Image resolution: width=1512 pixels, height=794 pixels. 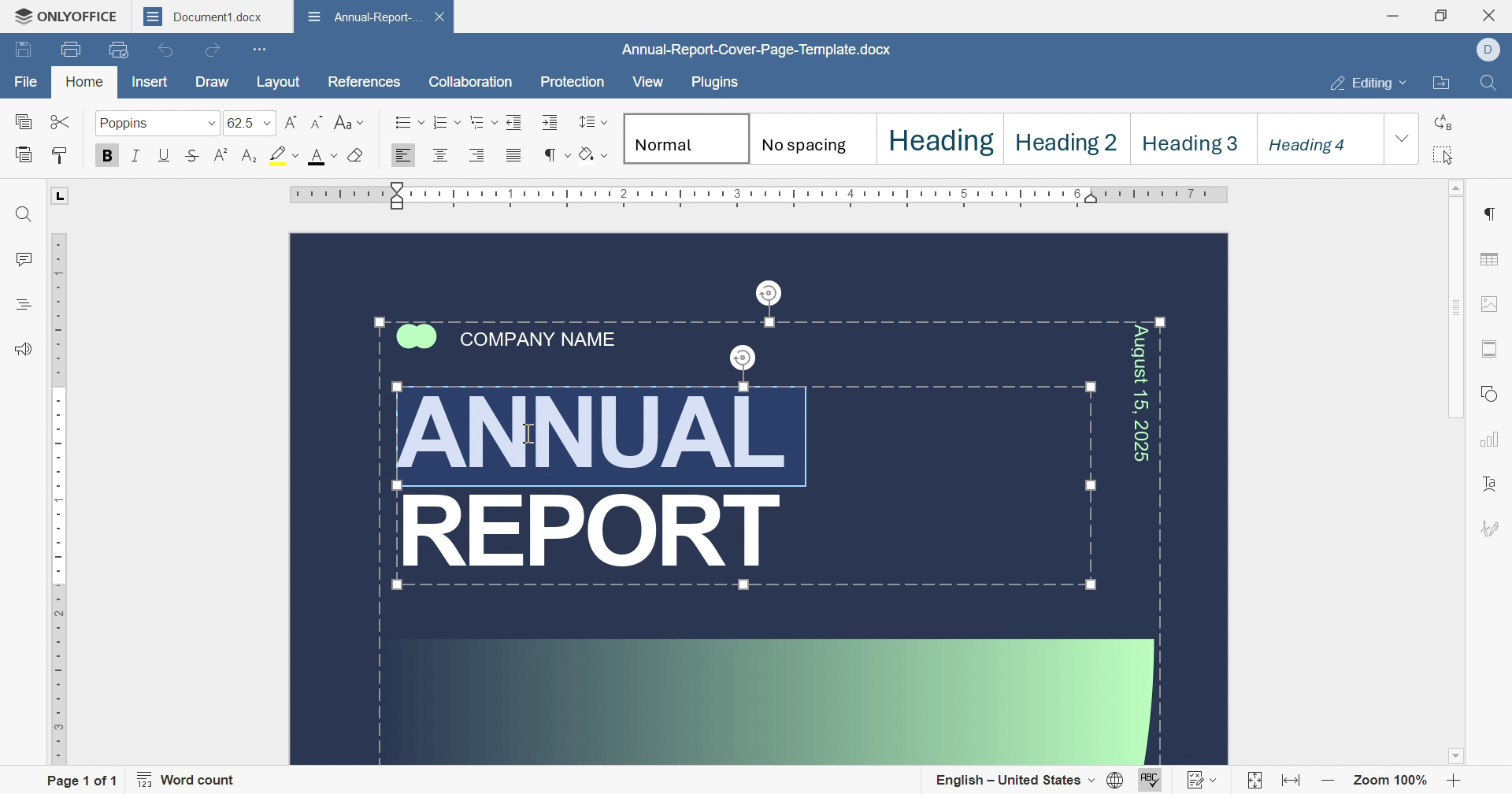 What do you see at coordinates (484, 122) in the screenshot?
I see `multilevel list` at bounding box center [484, 122].